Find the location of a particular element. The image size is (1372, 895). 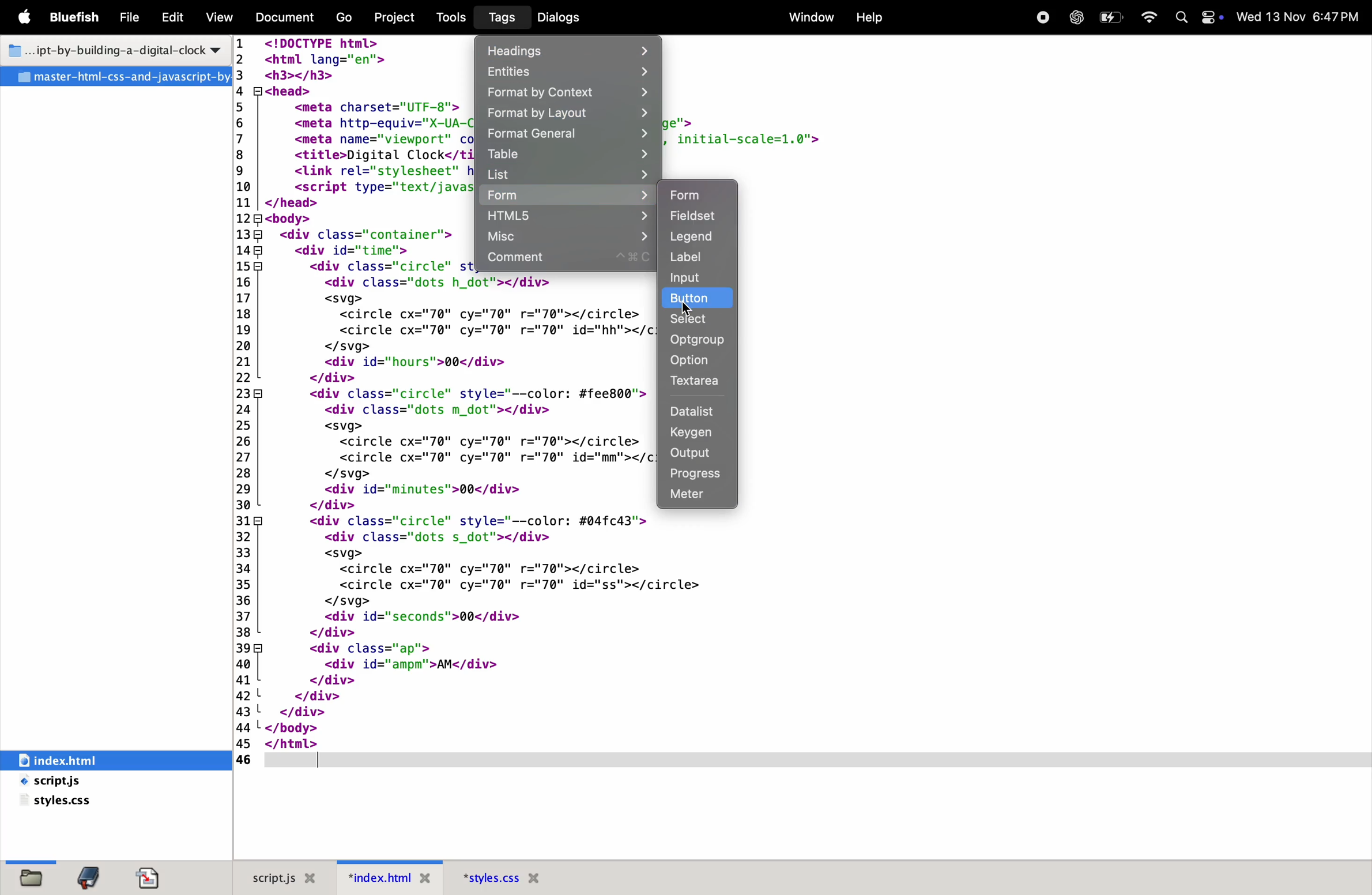

Misc is located at coordinates (570, 236).